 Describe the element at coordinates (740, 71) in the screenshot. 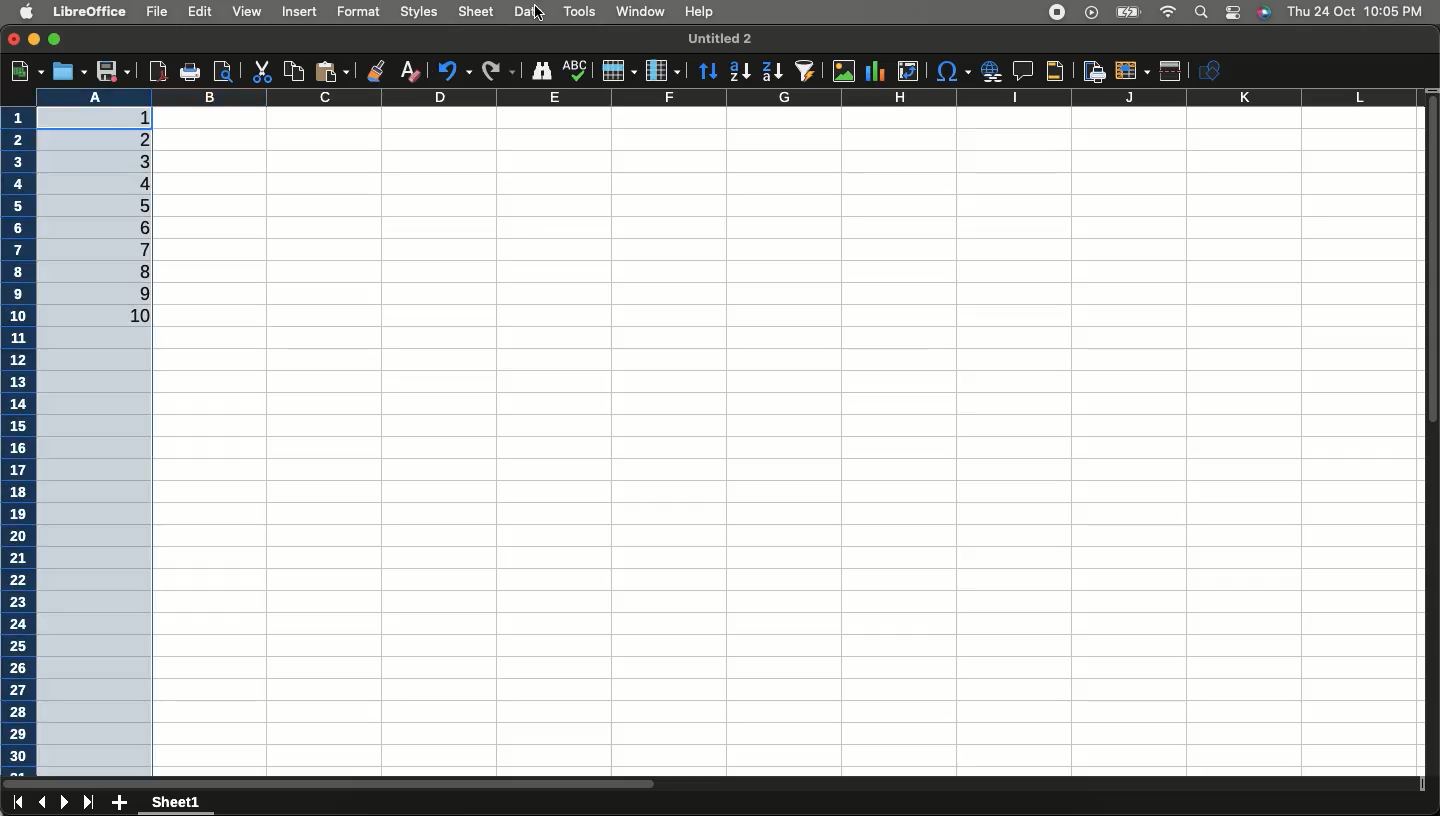

I see `Sort ascending` at that location.